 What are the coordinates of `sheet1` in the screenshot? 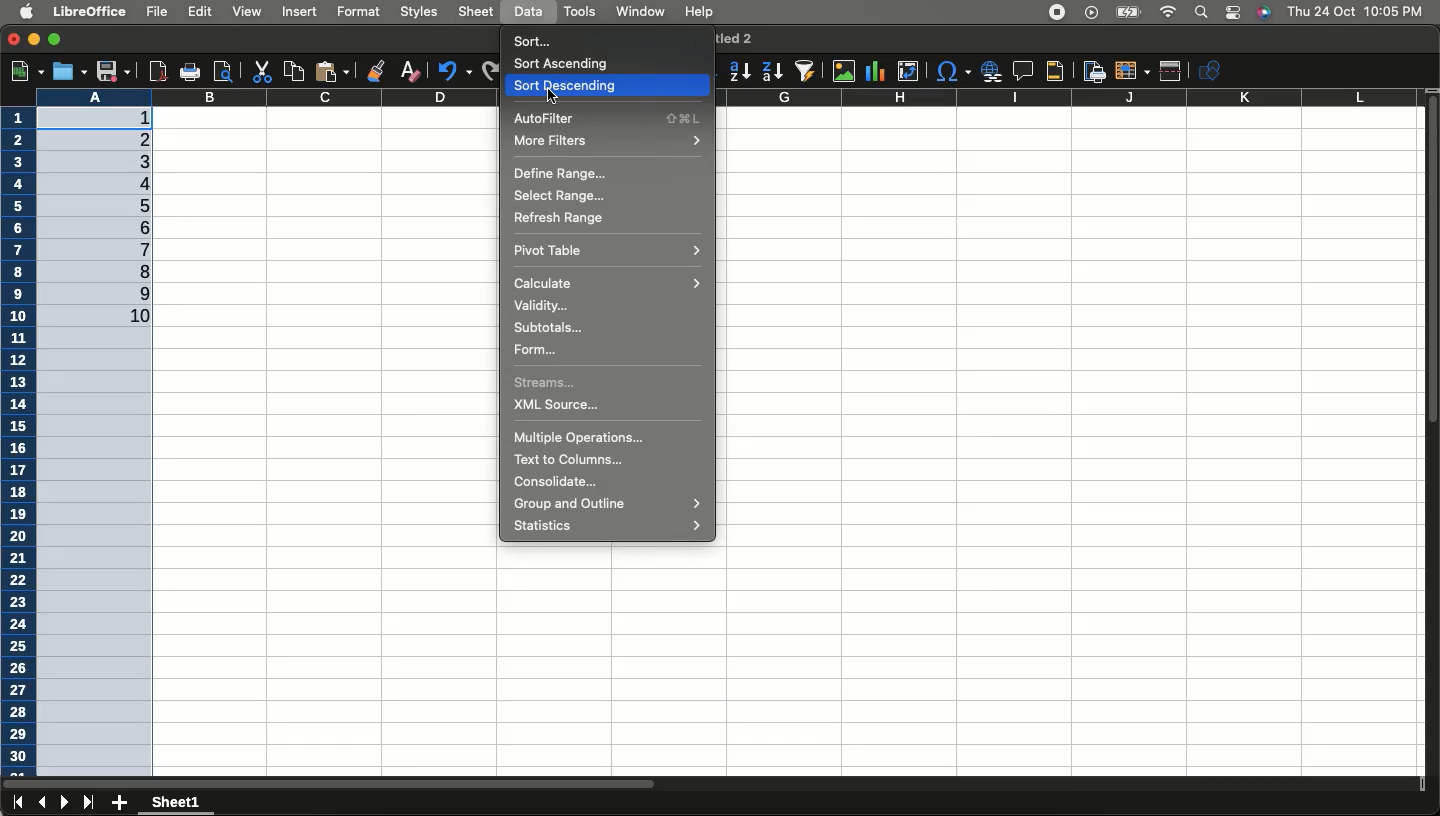 It's located at (178, 803).